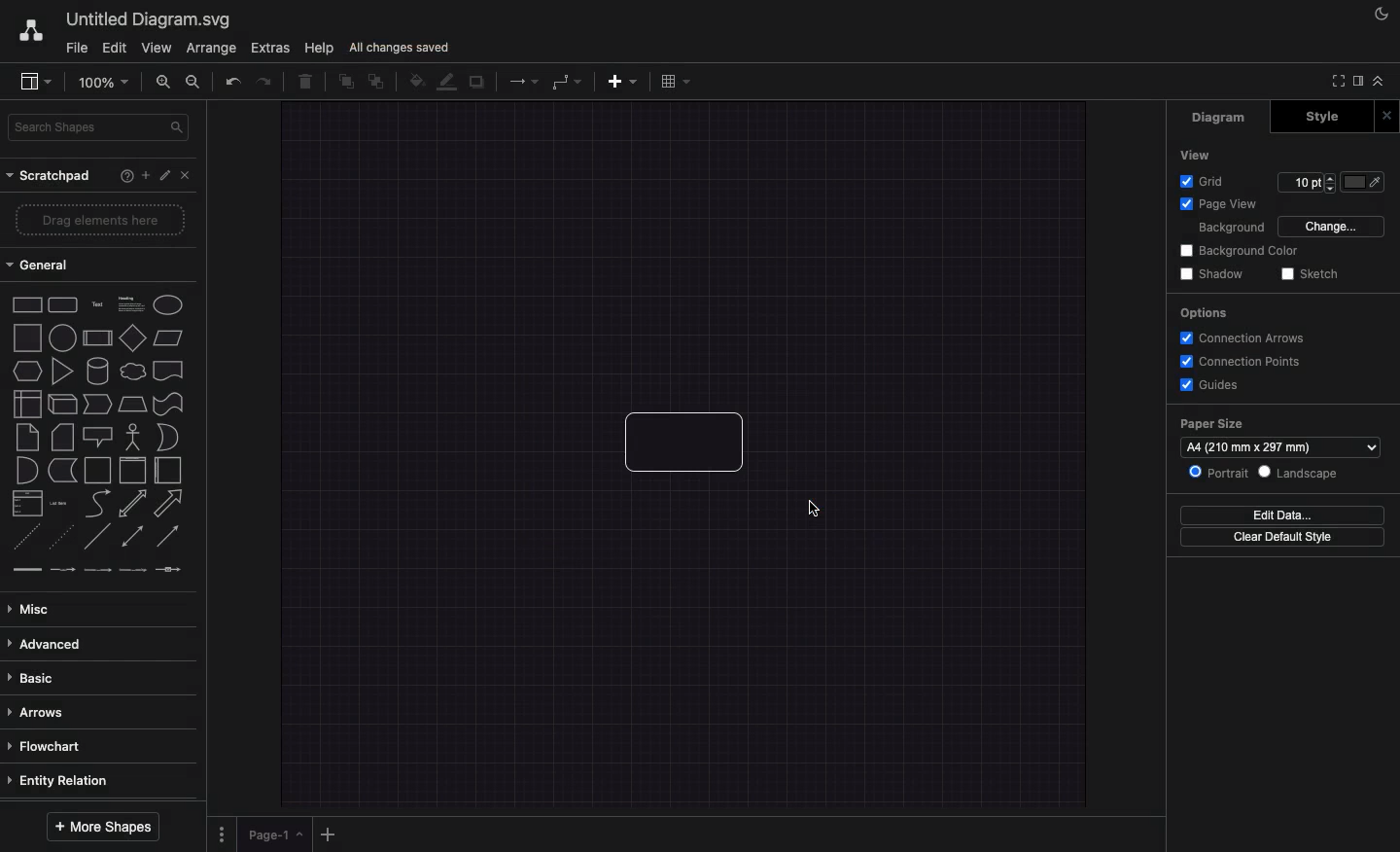 This screenshot has height=852, width=1400. What do you see at coordinates (620, 83) in the screenshot?
I see `Insert` at bounding box center [620, 83].